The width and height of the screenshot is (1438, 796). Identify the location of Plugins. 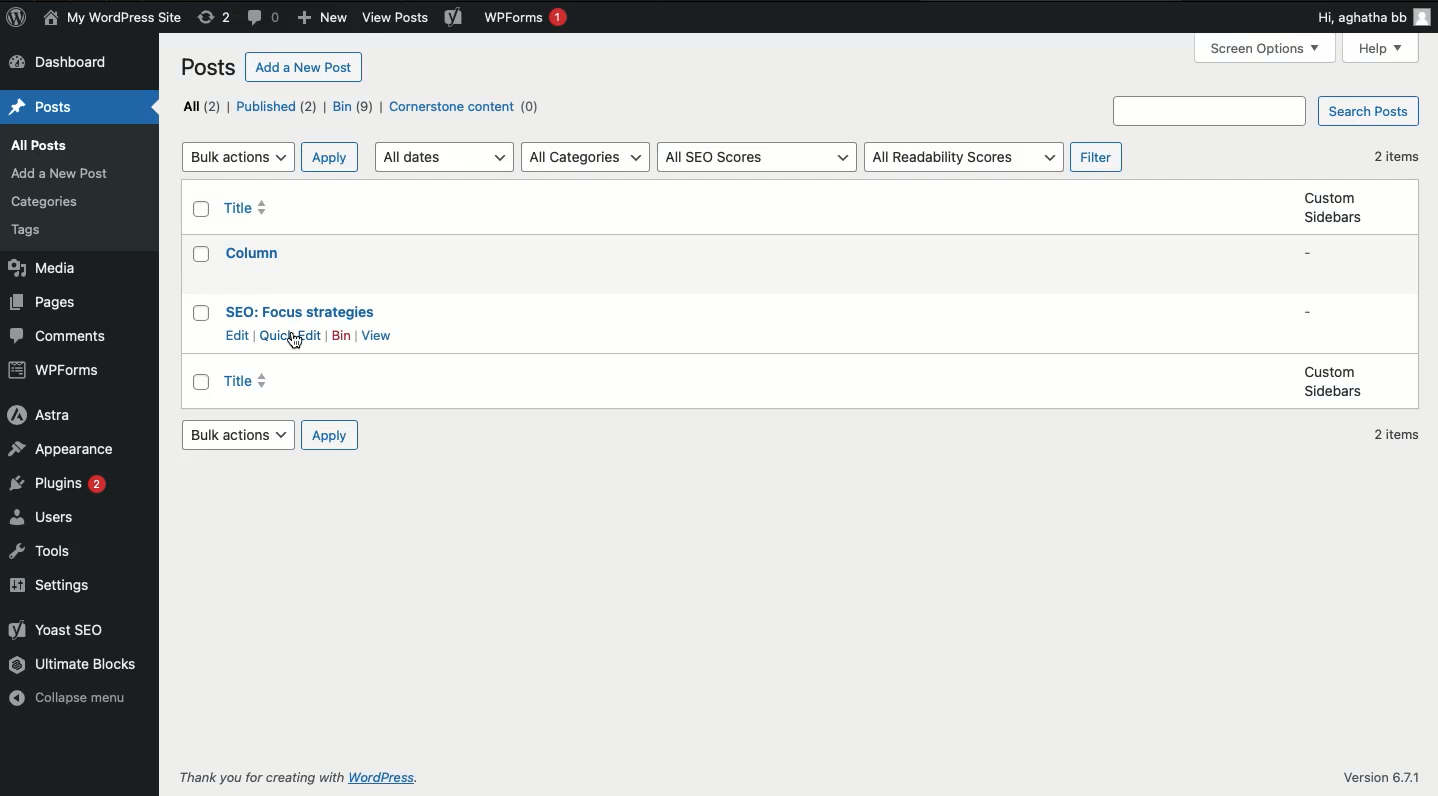
(56, 483).